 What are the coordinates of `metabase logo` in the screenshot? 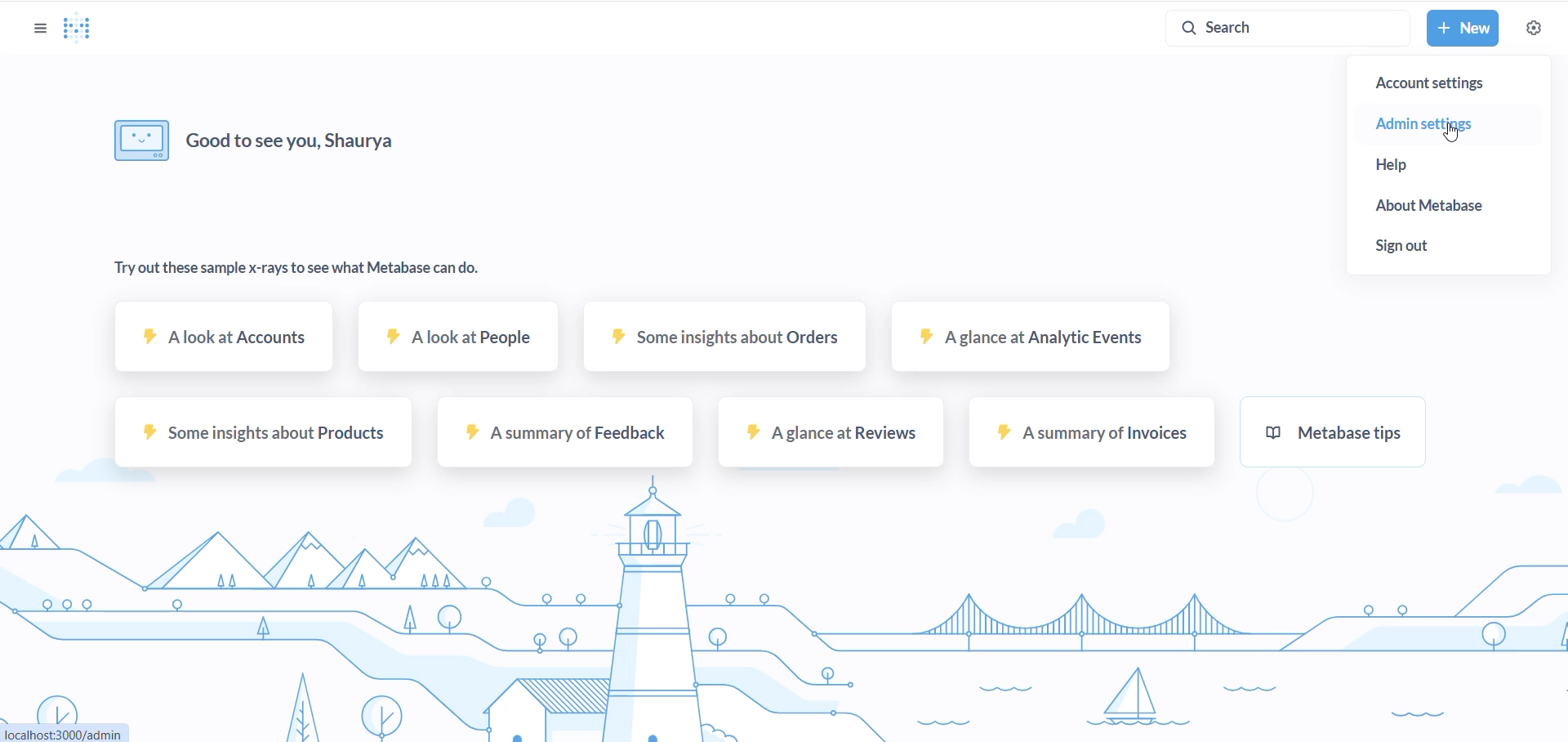 It's located at (80, 29).